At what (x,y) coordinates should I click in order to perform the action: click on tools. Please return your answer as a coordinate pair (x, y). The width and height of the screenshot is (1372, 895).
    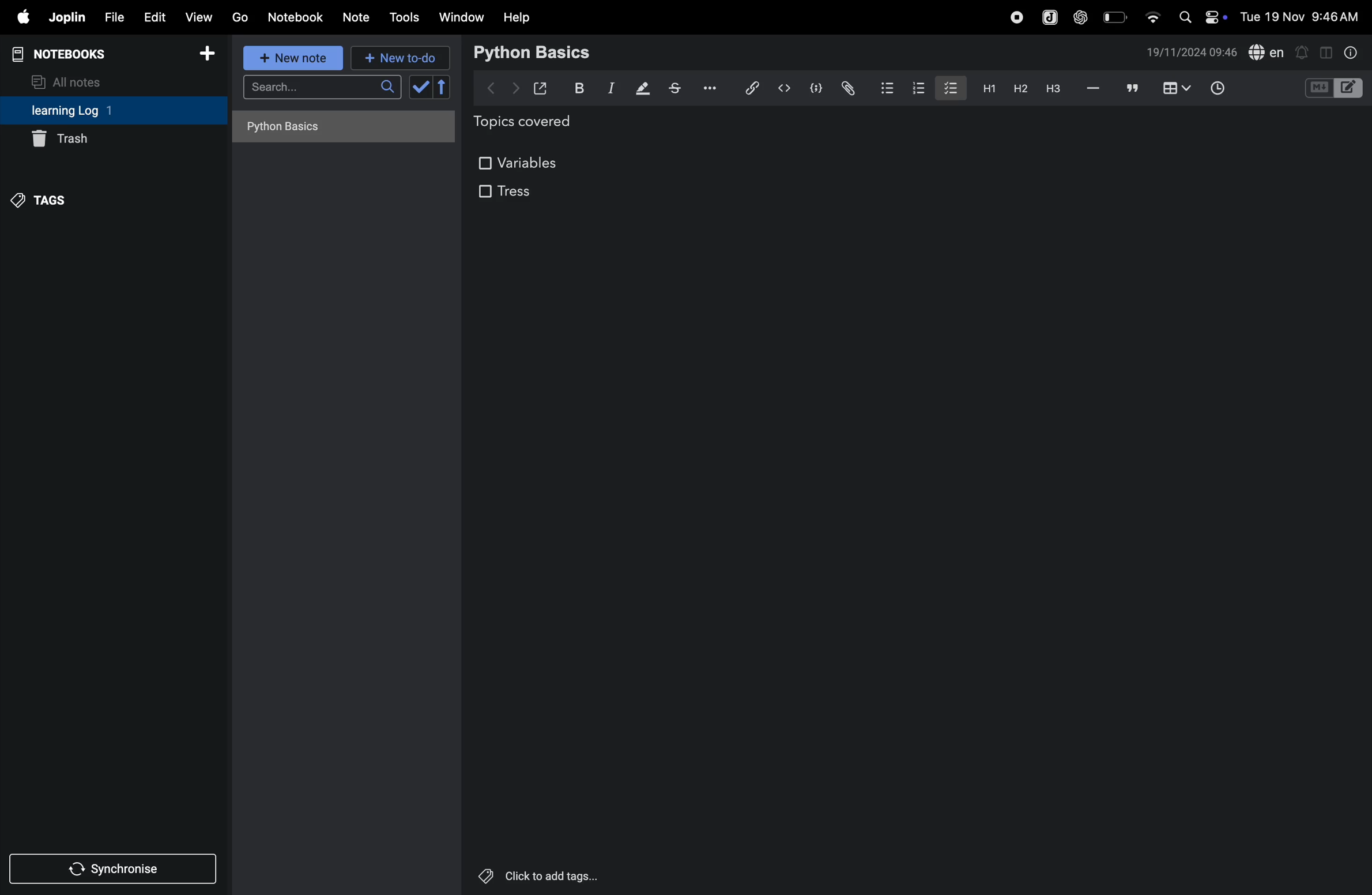
    Looking at the image, I should click on (402, 17).